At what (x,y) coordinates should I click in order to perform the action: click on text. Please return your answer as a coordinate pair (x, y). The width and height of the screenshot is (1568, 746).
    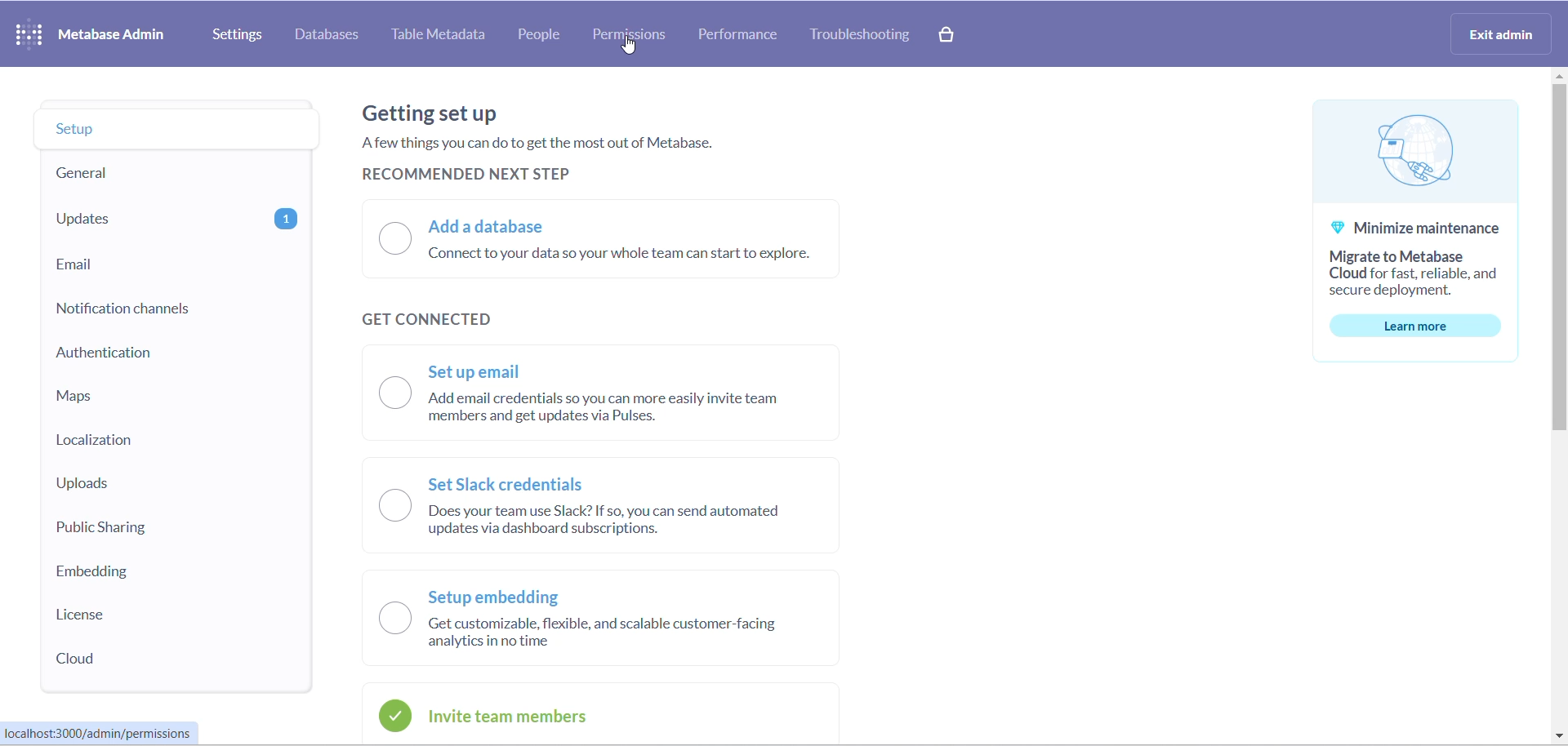
    Looking at the image, I should click on (596, 135).